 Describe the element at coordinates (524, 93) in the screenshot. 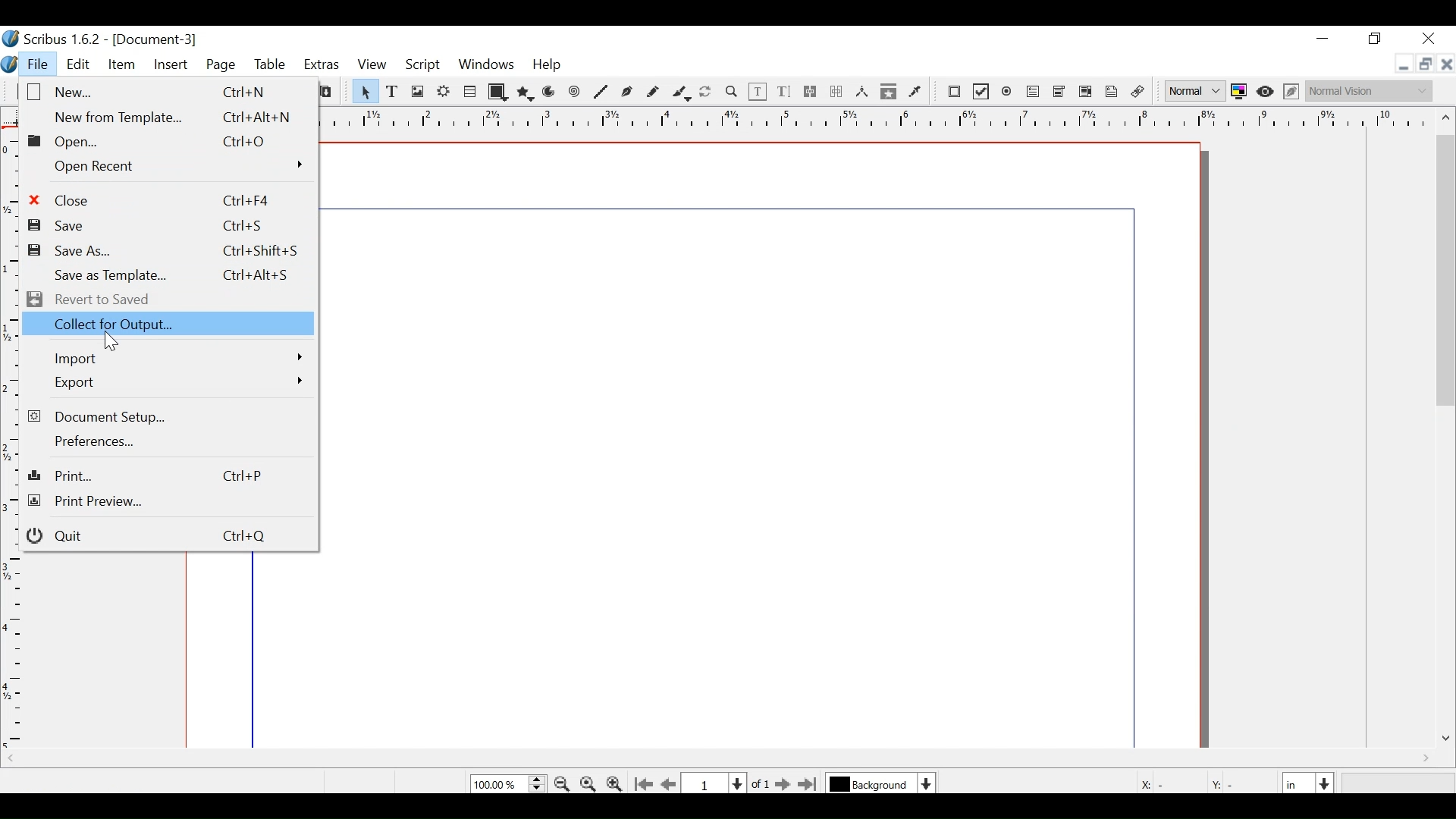

I see `Polygon` at that location.